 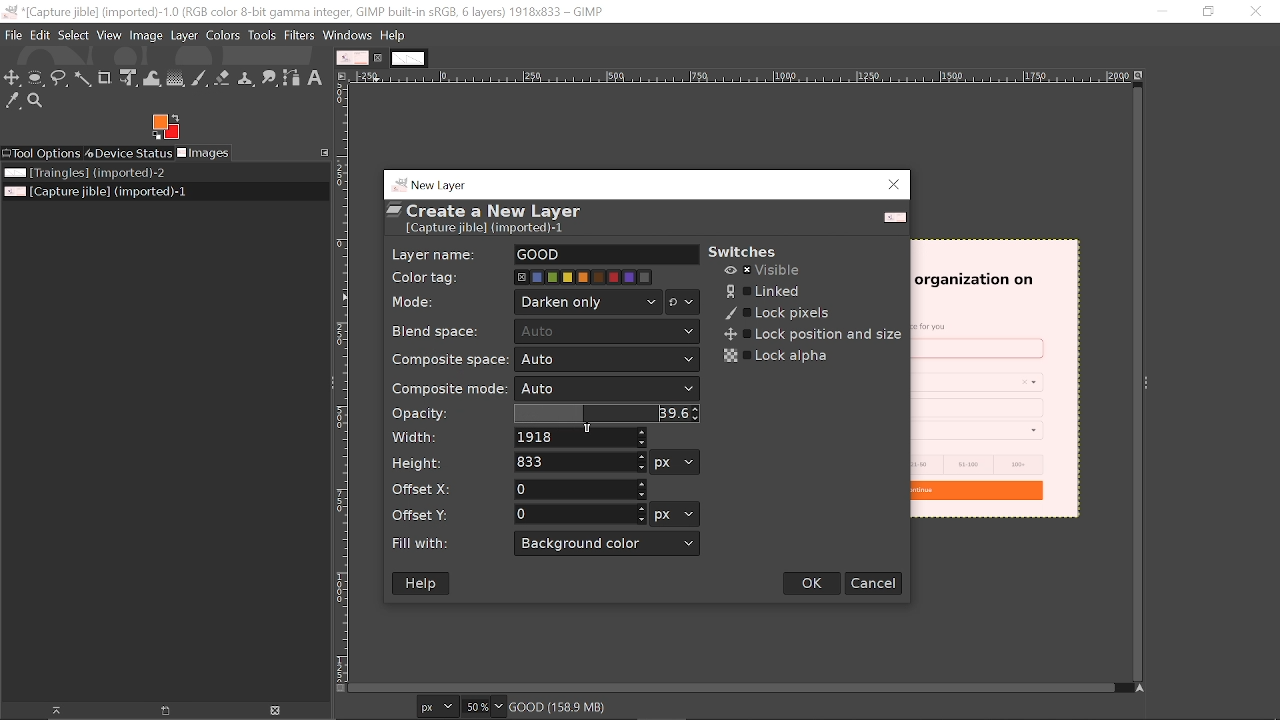 What do you see at coordinates (673, 514) in the screenshot?
I see `Offset units` at bounding box center [673, 514].